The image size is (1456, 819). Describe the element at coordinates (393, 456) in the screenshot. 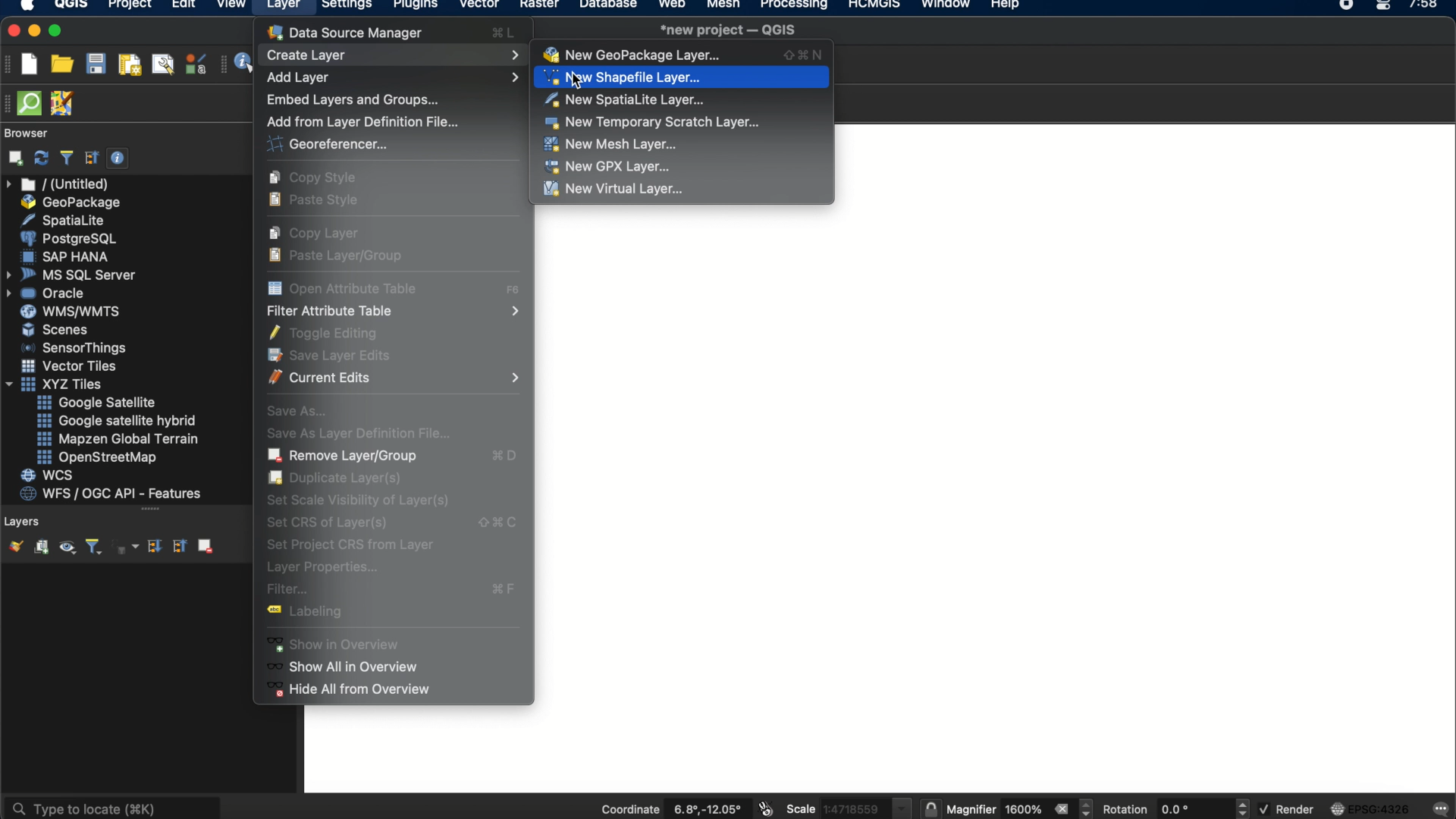

I see `remove layer/group` at that location.